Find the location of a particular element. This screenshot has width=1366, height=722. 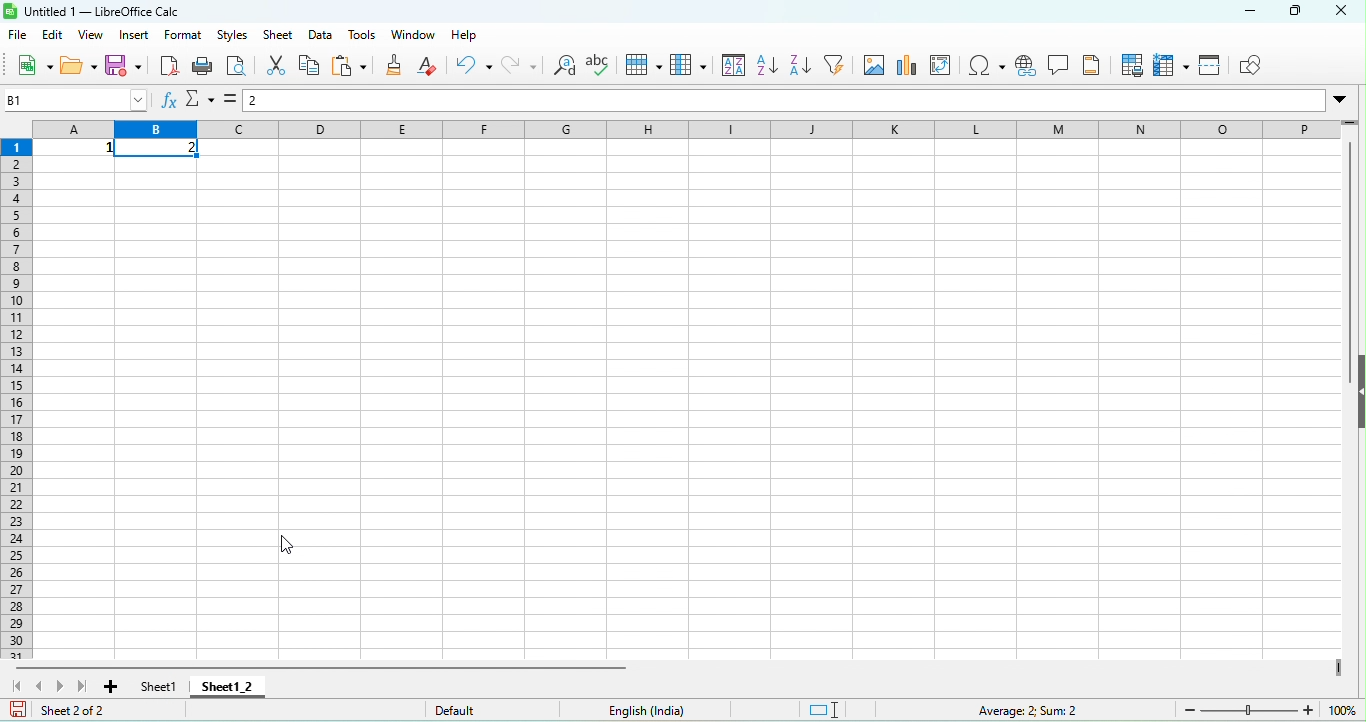

view is located at coordinates (94, 36).